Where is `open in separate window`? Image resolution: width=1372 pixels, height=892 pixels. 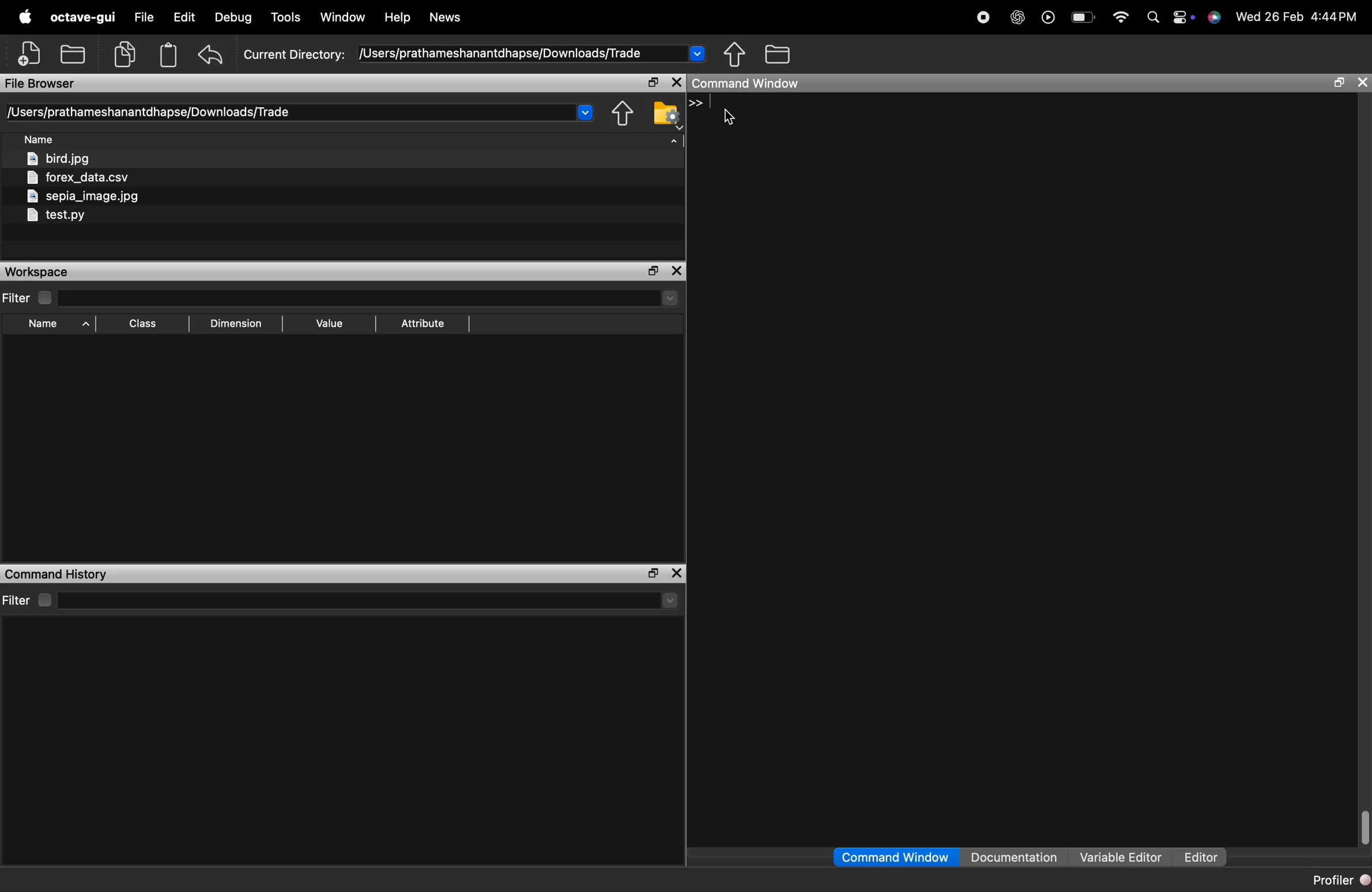 open in separate window is located at coordinates (655, 271).